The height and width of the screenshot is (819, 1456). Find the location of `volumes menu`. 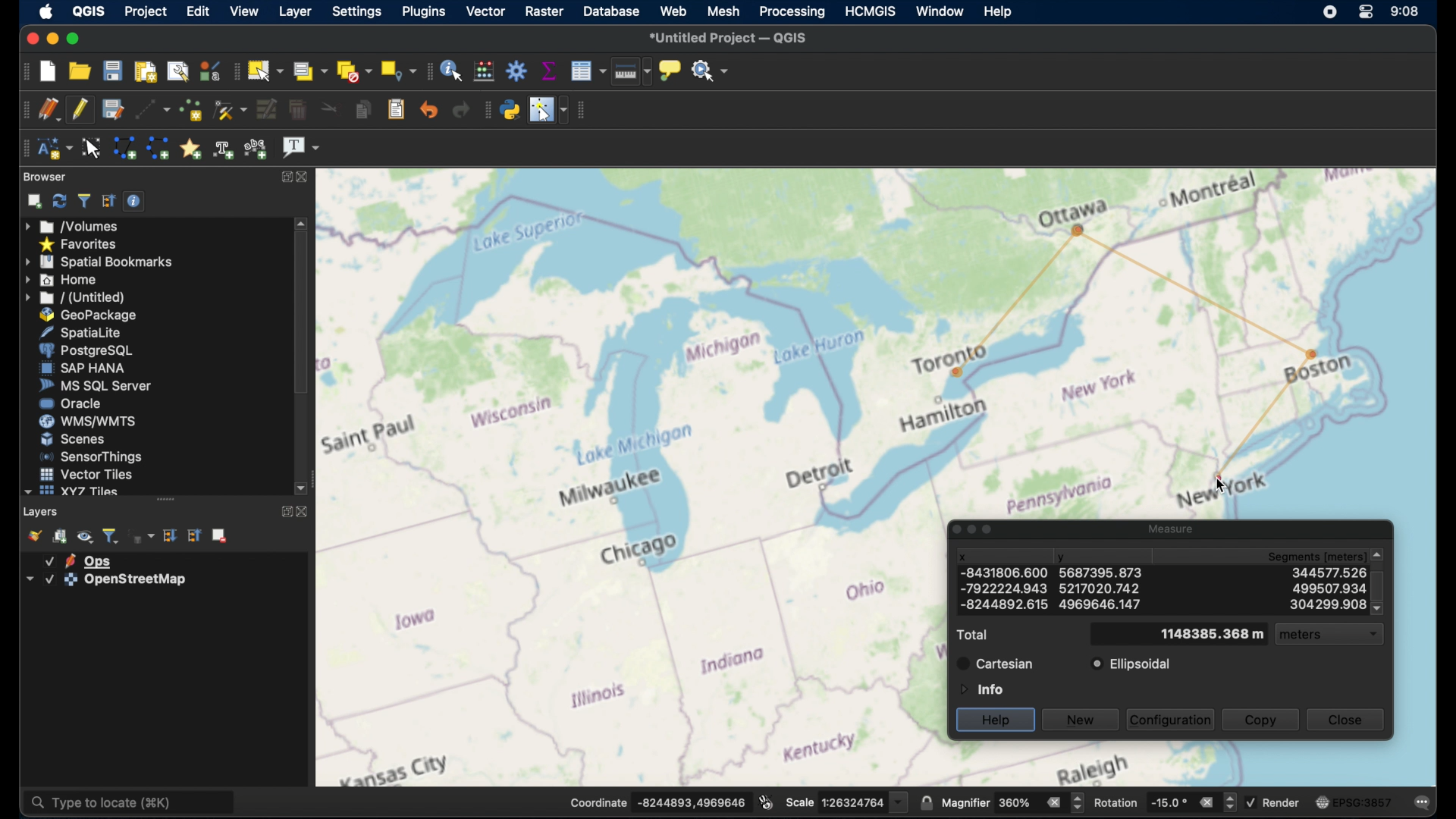

volumes menu is located at coordinates (75, 225).